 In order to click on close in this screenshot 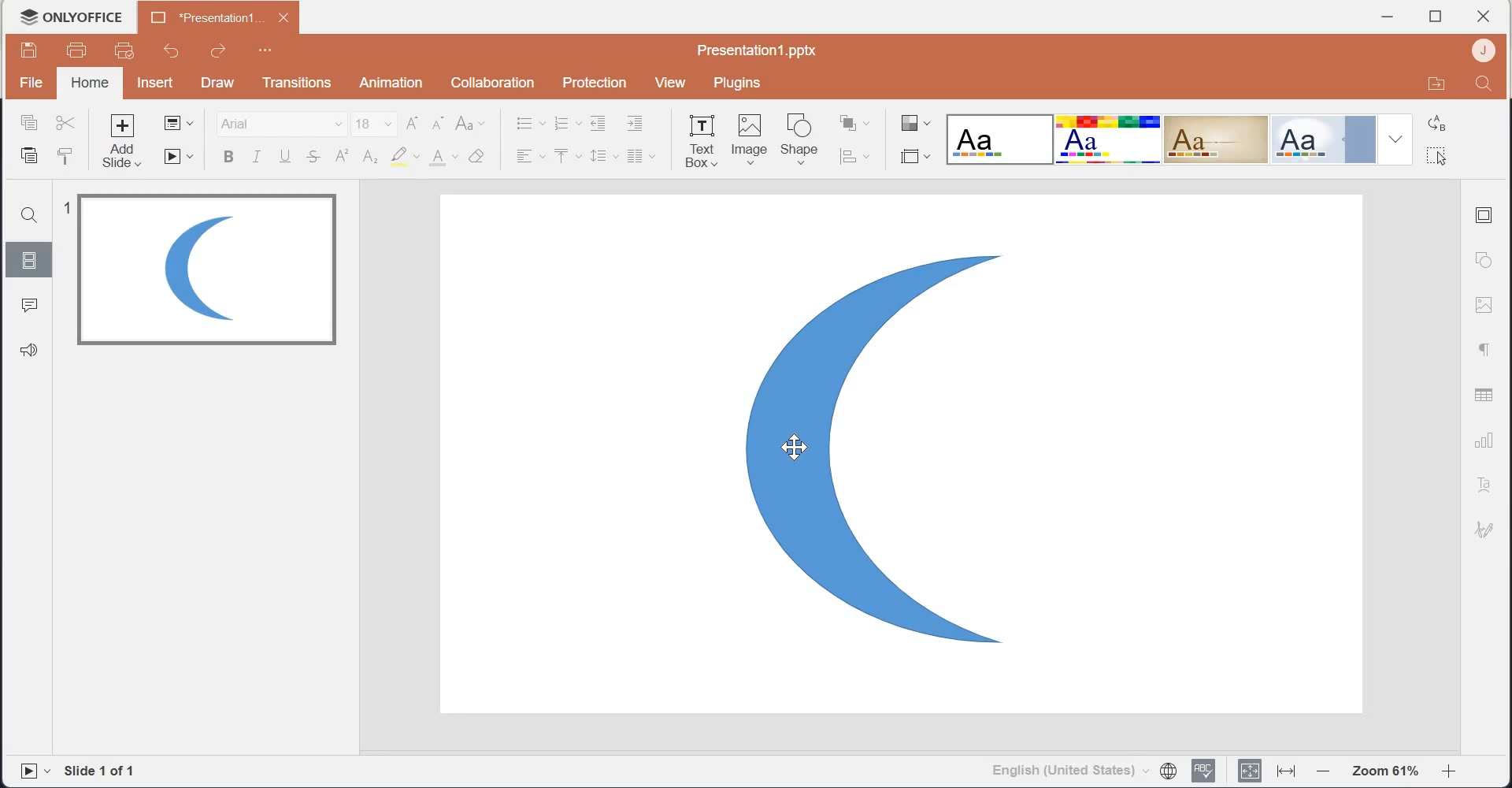, I will do `click(283, 17)`.